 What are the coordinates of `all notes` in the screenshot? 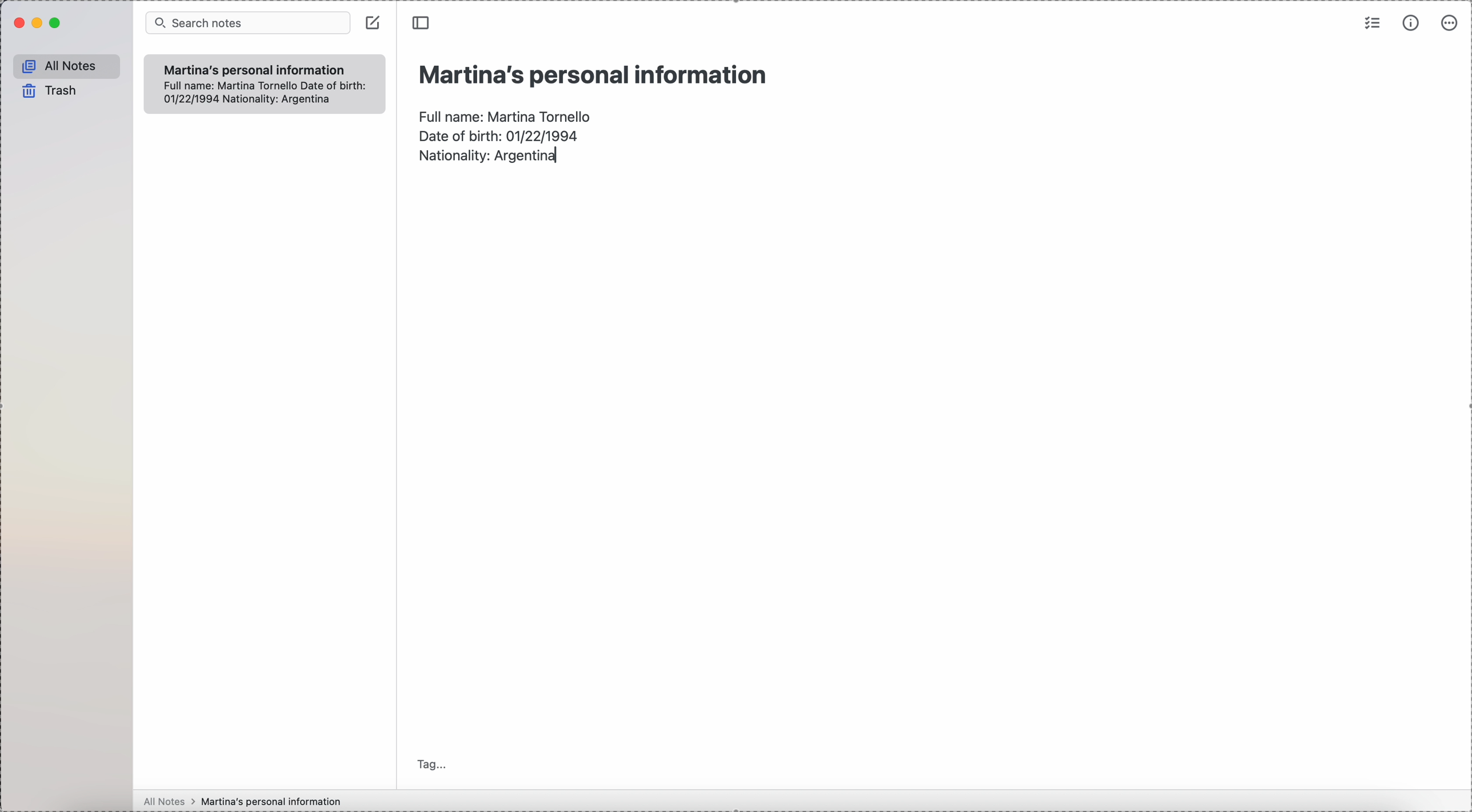 It's located at (66, 66).